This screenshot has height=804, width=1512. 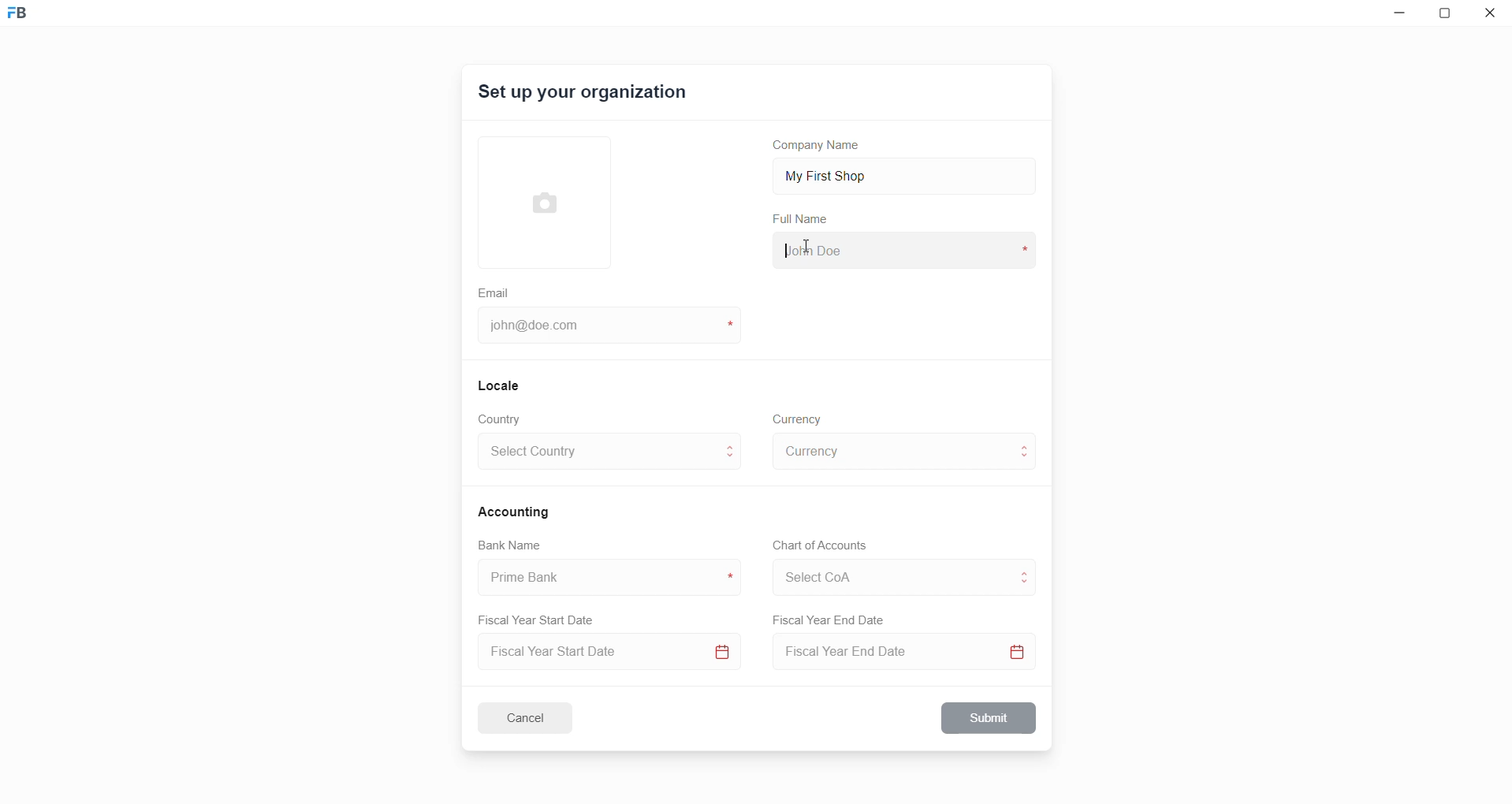 I want to click on Company Name, so click(x=822, y=147).